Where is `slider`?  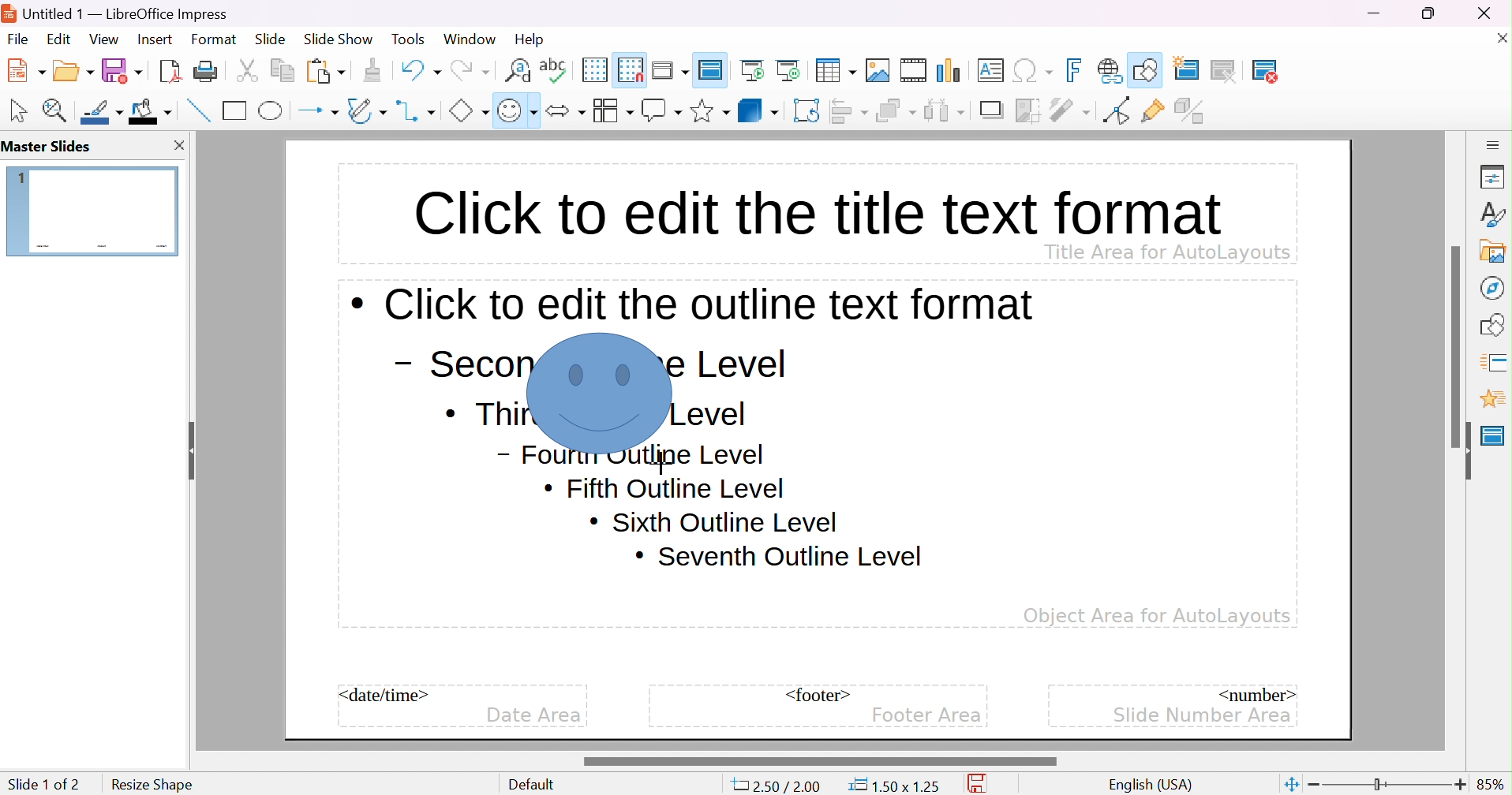
slider is located at coordinates (1458, 345).